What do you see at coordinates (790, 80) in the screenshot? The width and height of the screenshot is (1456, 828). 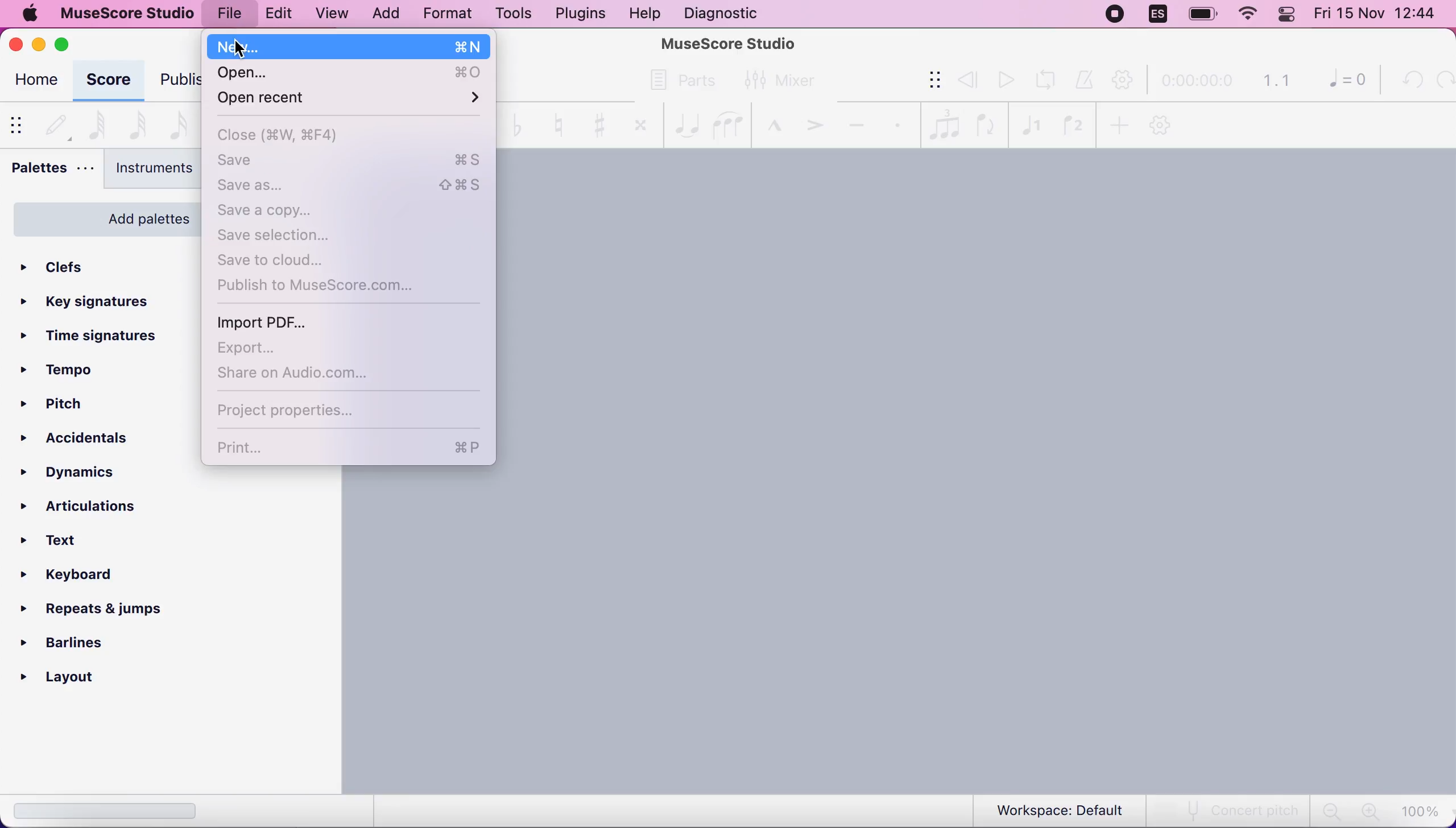 I see `mixer` at bounding box center [790, 80].